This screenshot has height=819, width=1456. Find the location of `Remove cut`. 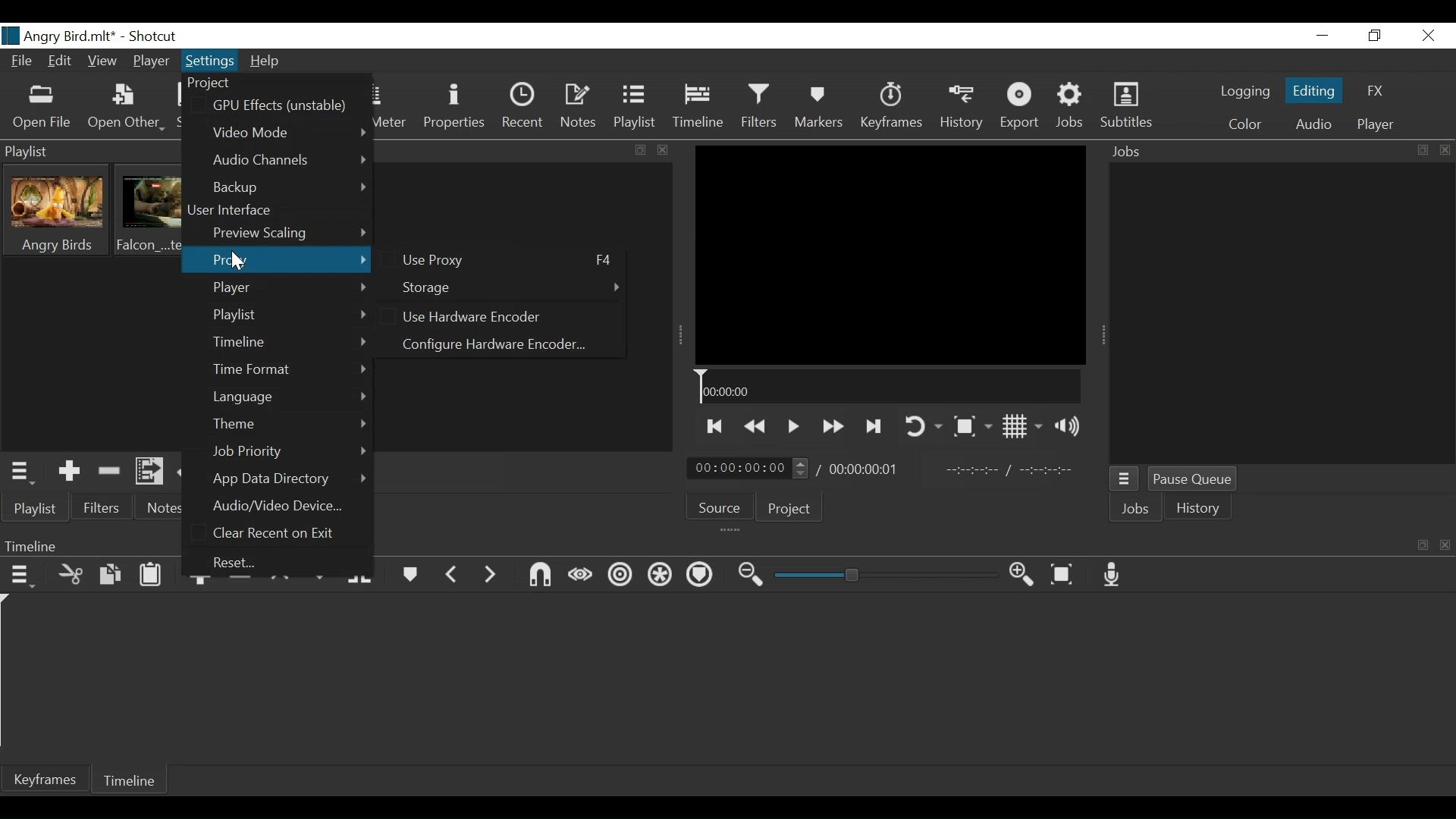

Remove cut is located at coordinates (106, 469).